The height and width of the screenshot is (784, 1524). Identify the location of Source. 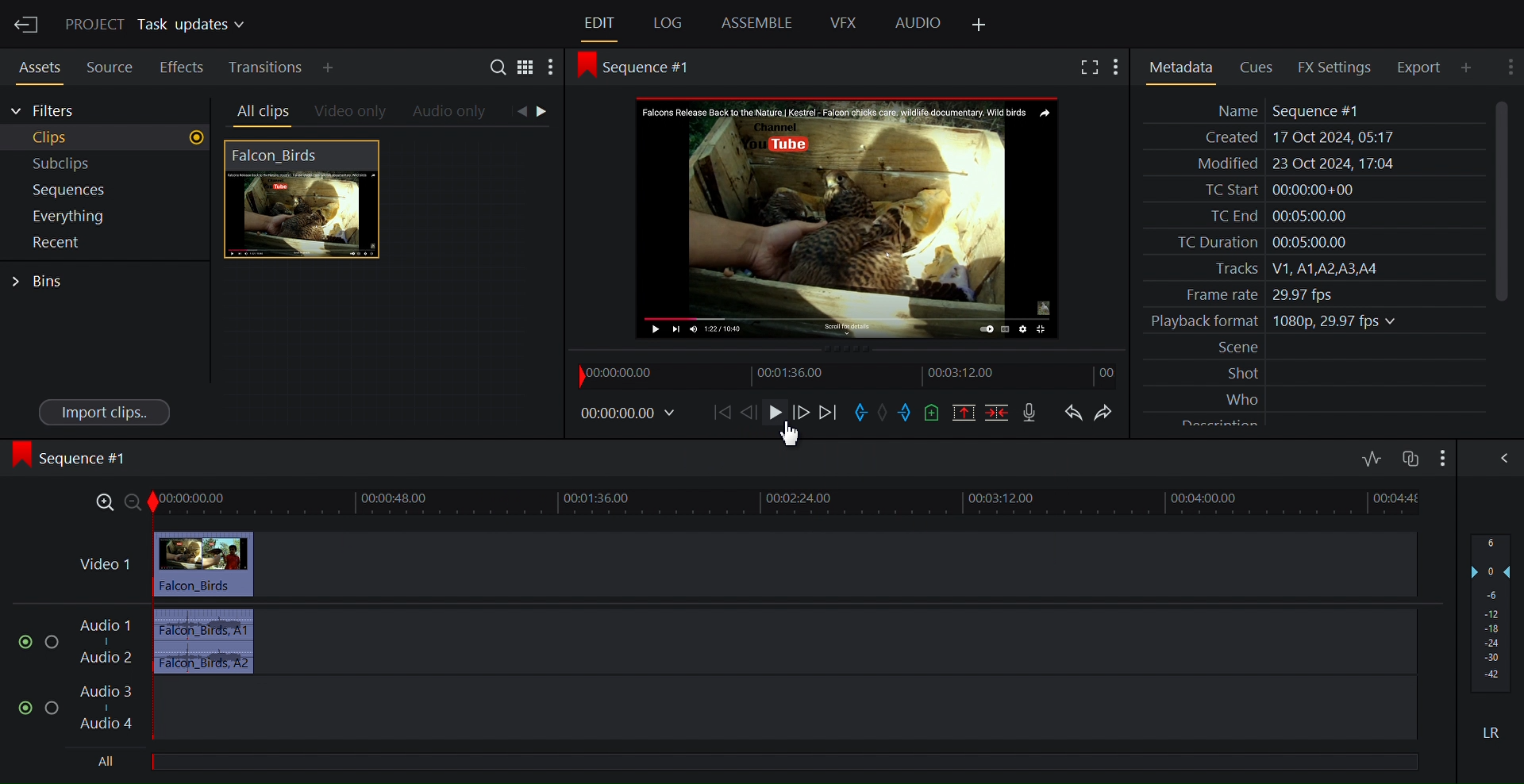
(110, 65).